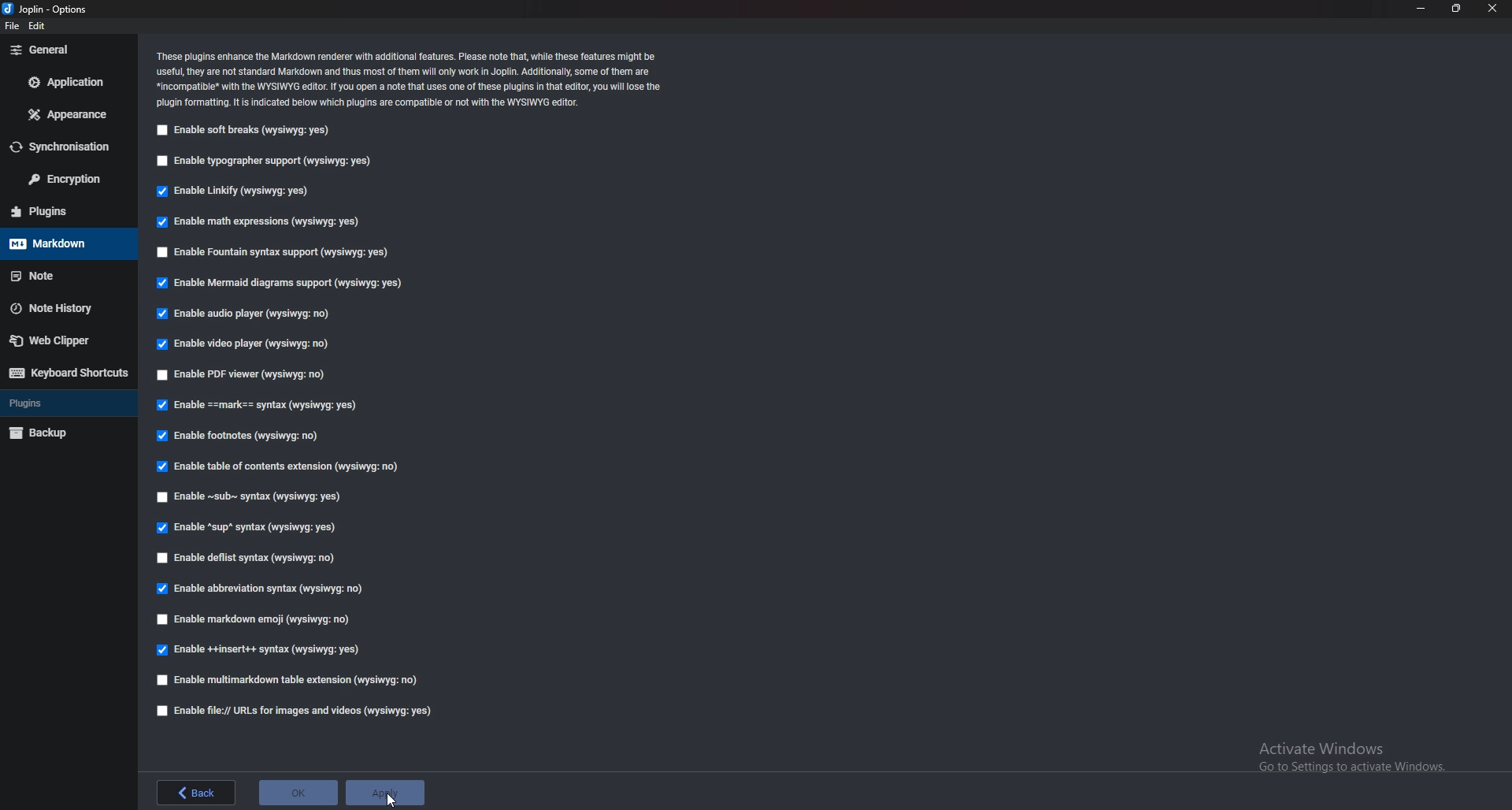 Image resolution: width=1512 pixels, height=810 pixels. I want to click on Enable soft breaks, so click(246, 130).